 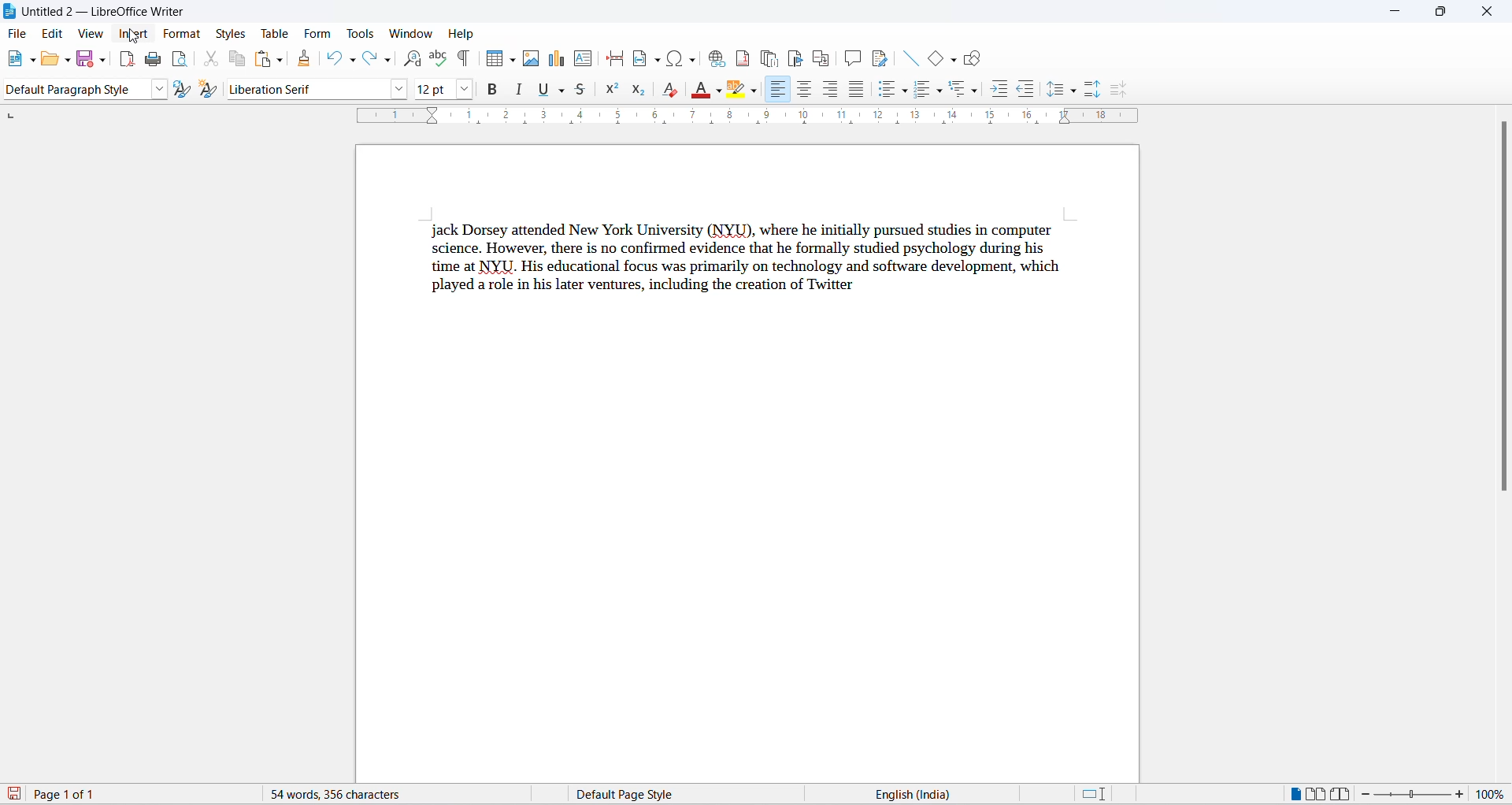 What do you see at coordinates (754, 92) in the screenshot?
I see `character highlighting color` at bounding box center [754, 92].